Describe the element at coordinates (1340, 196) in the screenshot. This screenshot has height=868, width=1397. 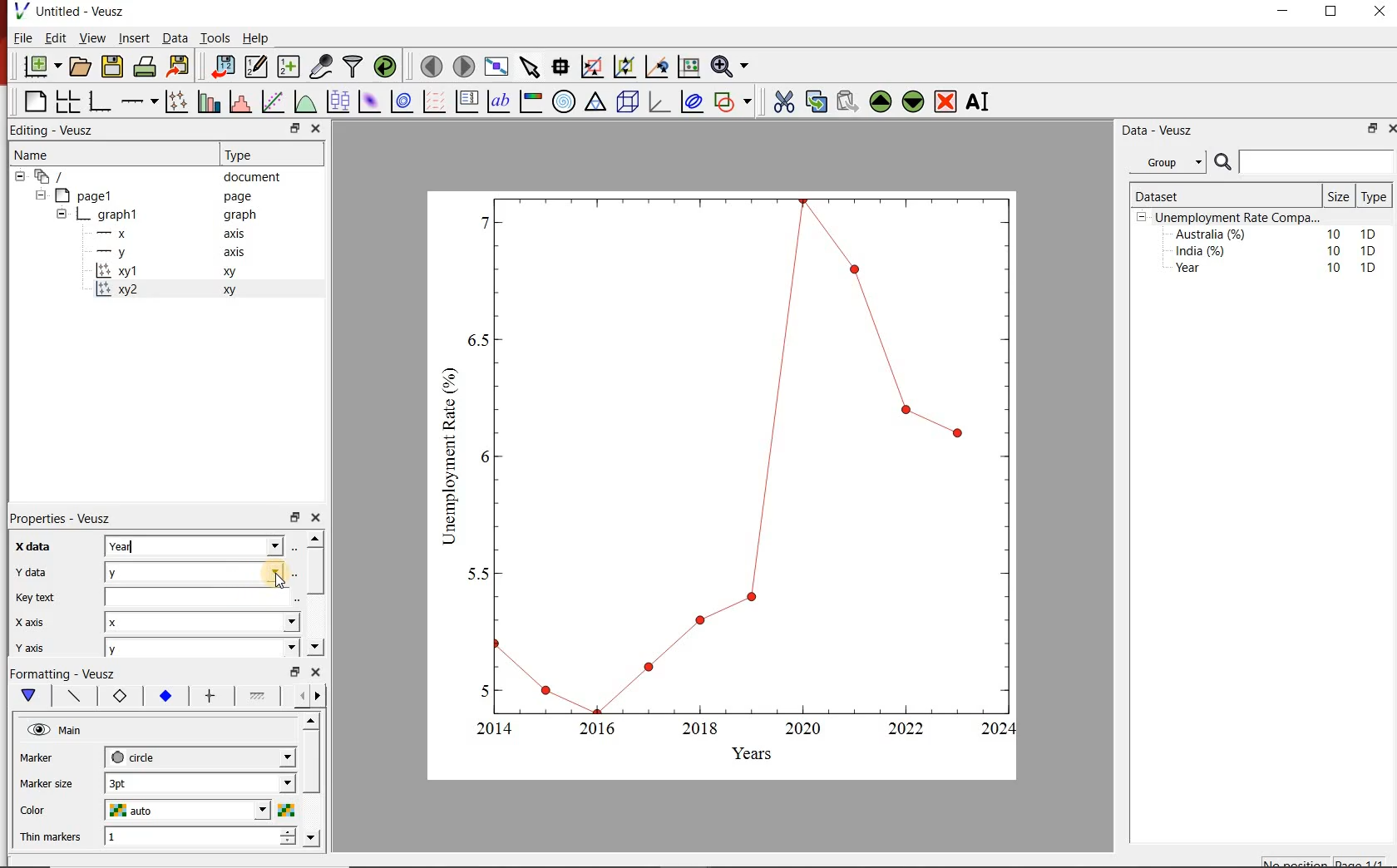
I see `Size` at that location.